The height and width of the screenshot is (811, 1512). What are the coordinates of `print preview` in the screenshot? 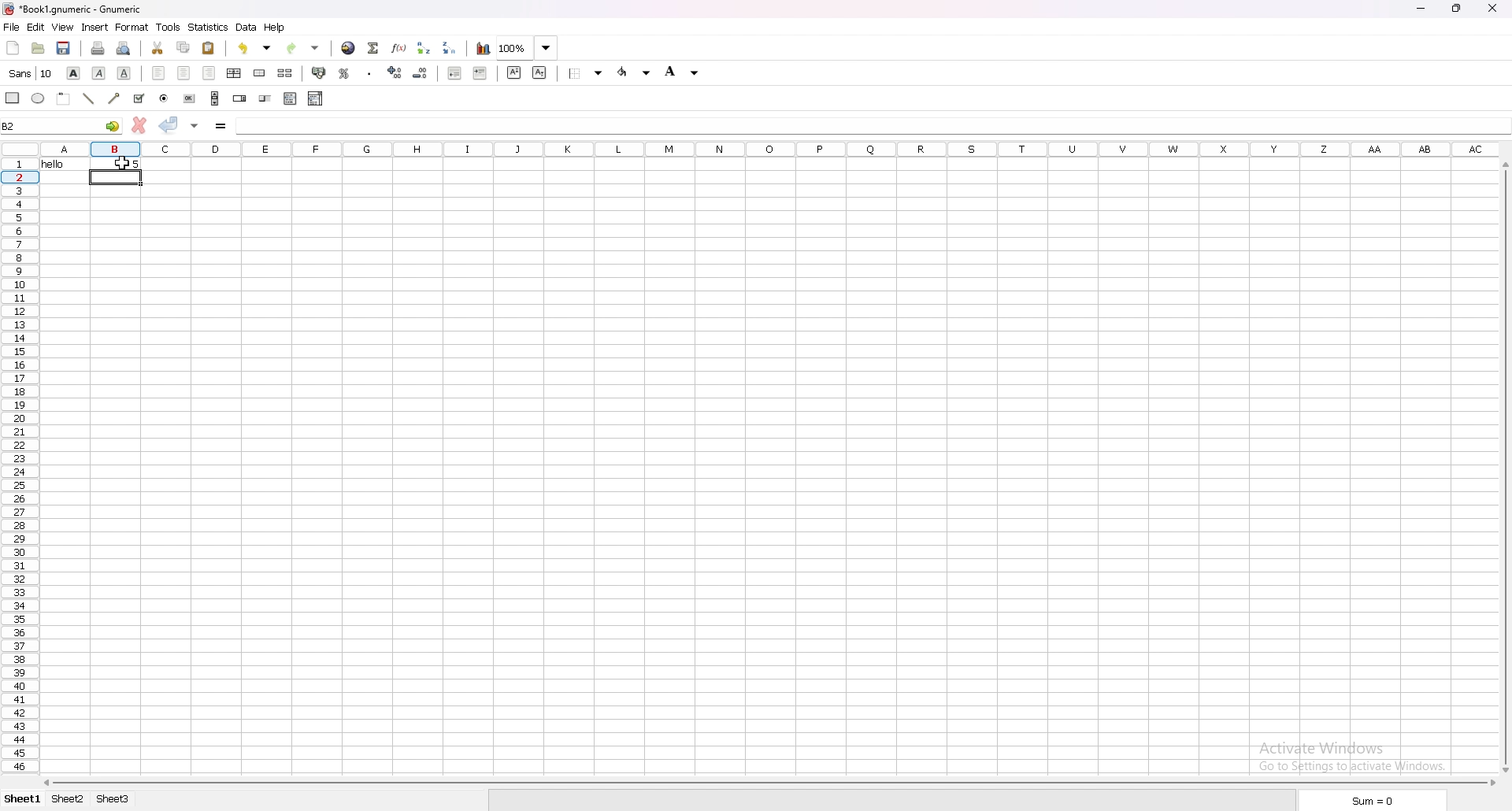 It's located at (124, 48).